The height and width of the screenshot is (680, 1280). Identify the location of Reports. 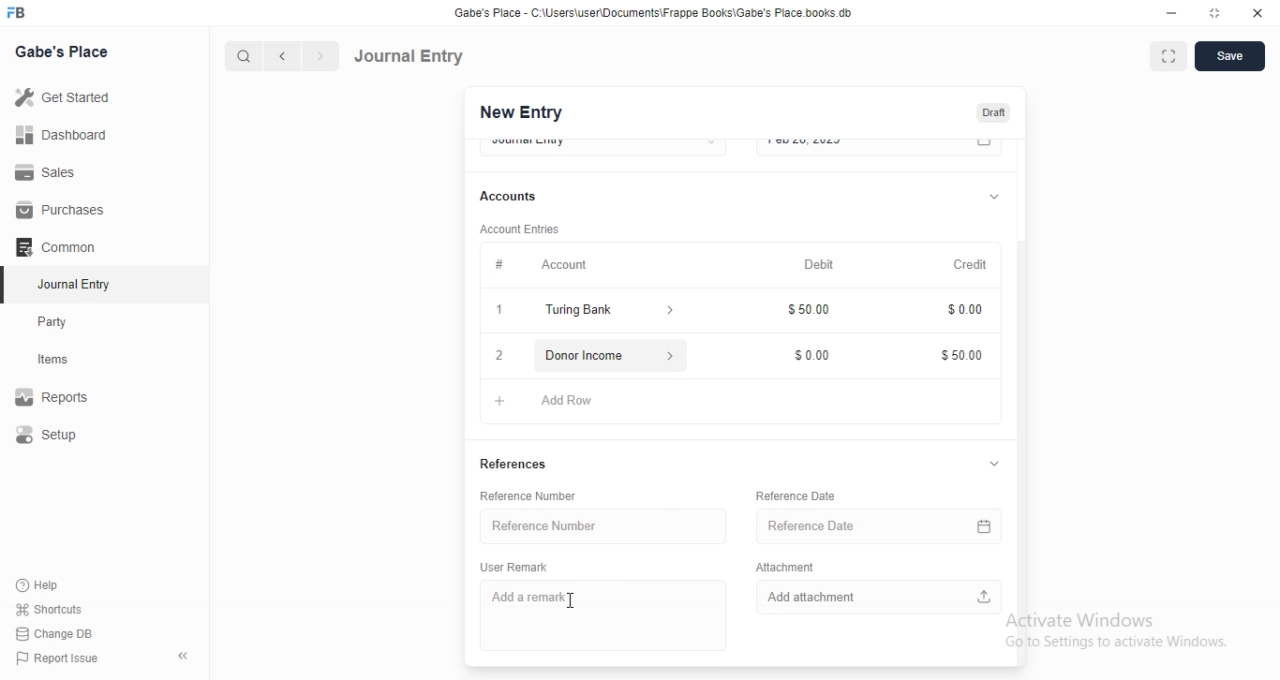
(65, 399).